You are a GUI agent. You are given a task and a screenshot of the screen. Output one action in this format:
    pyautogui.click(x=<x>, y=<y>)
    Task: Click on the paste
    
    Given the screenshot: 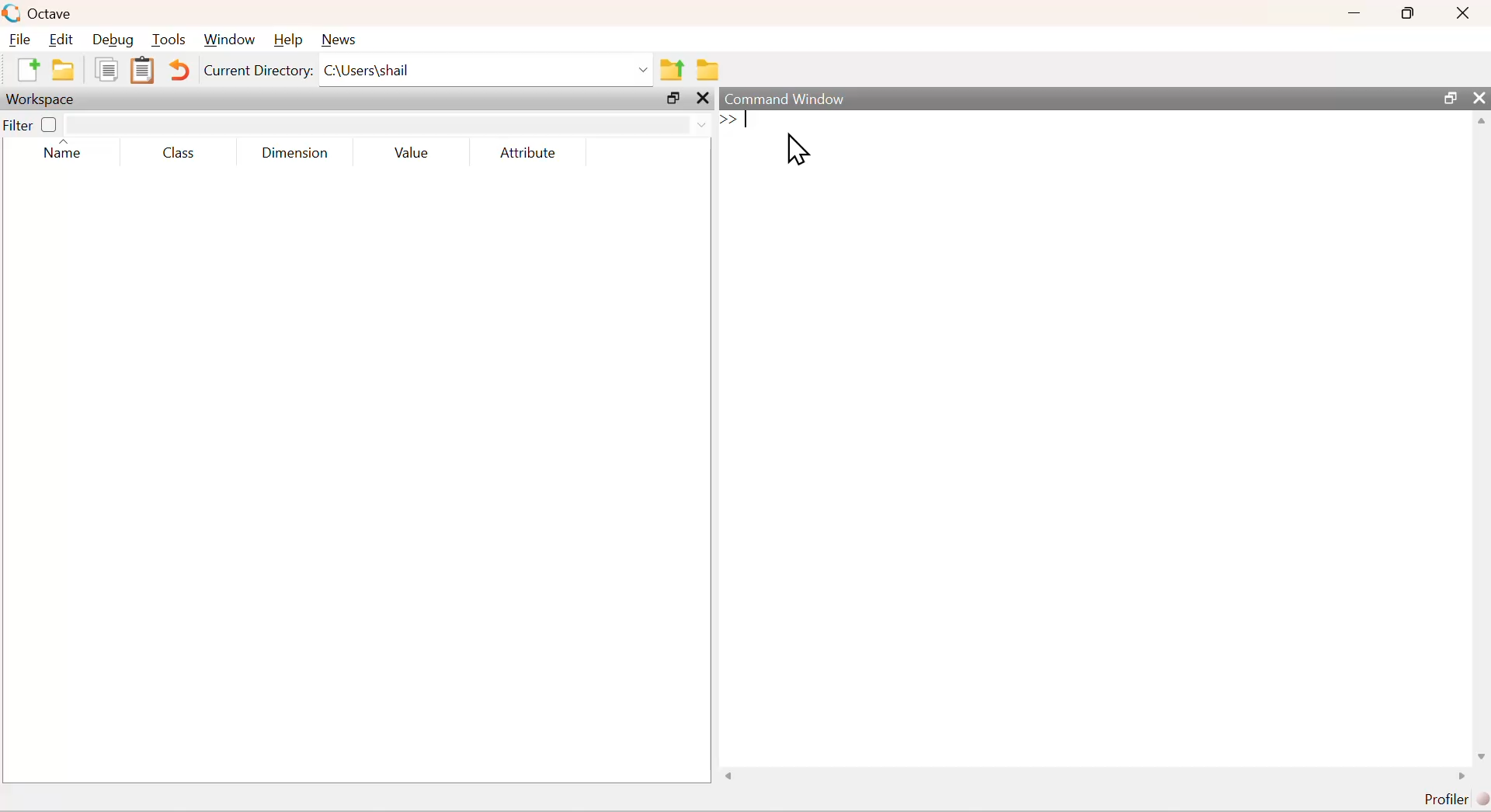 What is the action you would take?
    pyautogui.click(x=143, y=71)
    